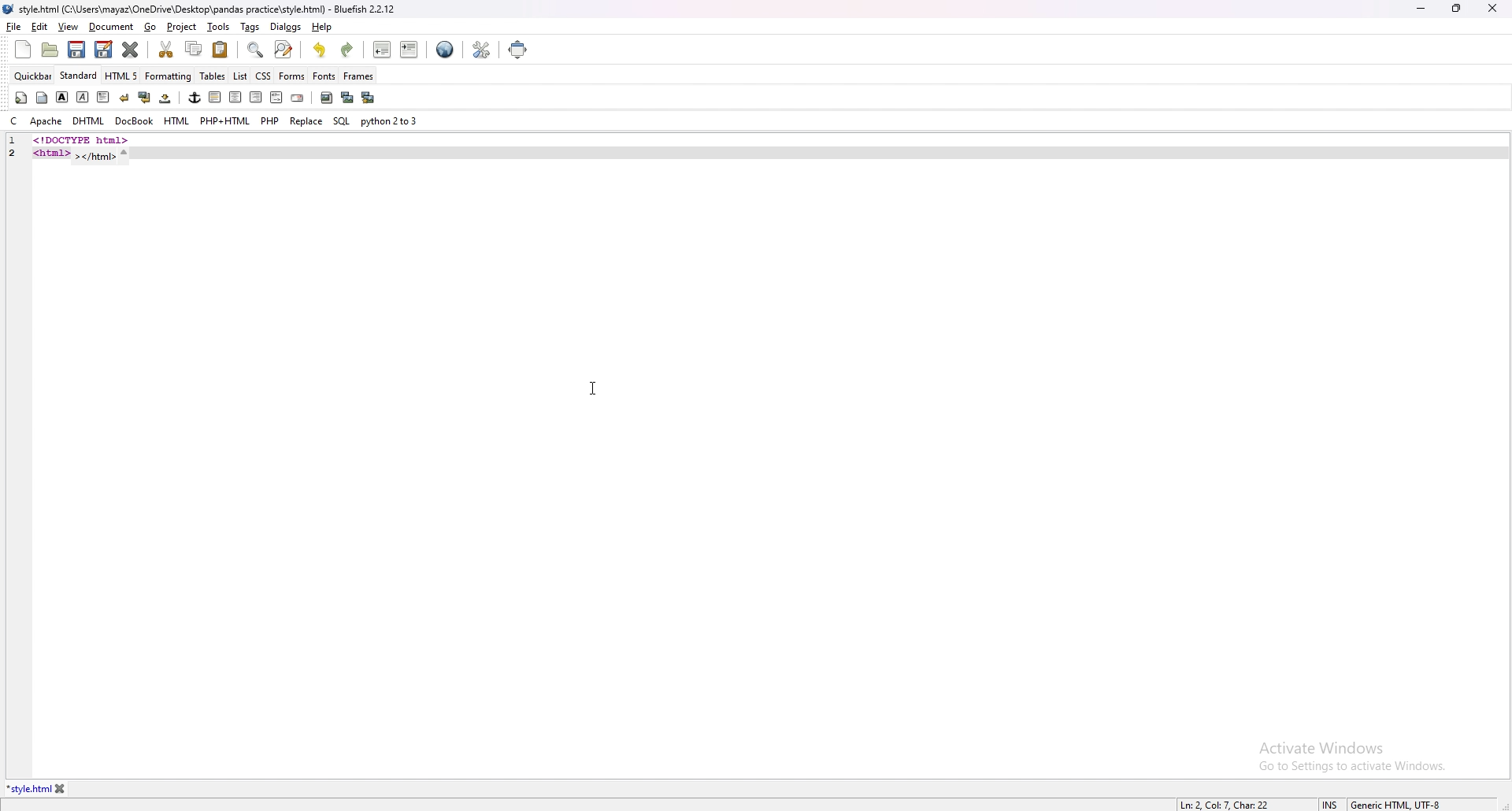  I want to click on unindent, so click(383, 50).